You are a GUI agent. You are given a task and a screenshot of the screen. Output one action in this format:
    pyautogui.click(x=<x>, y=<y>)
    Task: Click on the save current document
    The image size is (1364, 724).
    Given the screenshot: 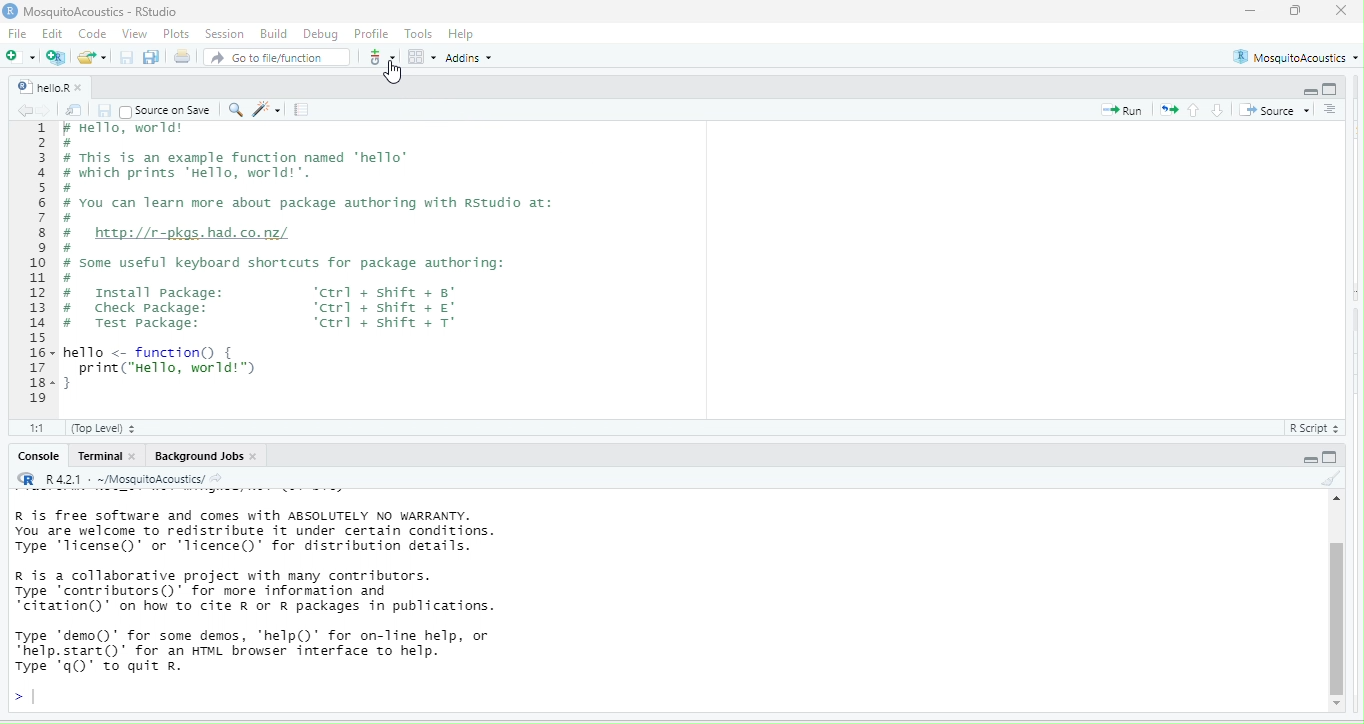 What is the action you would take?
    pyautogui.click(x=104, y=110)
    